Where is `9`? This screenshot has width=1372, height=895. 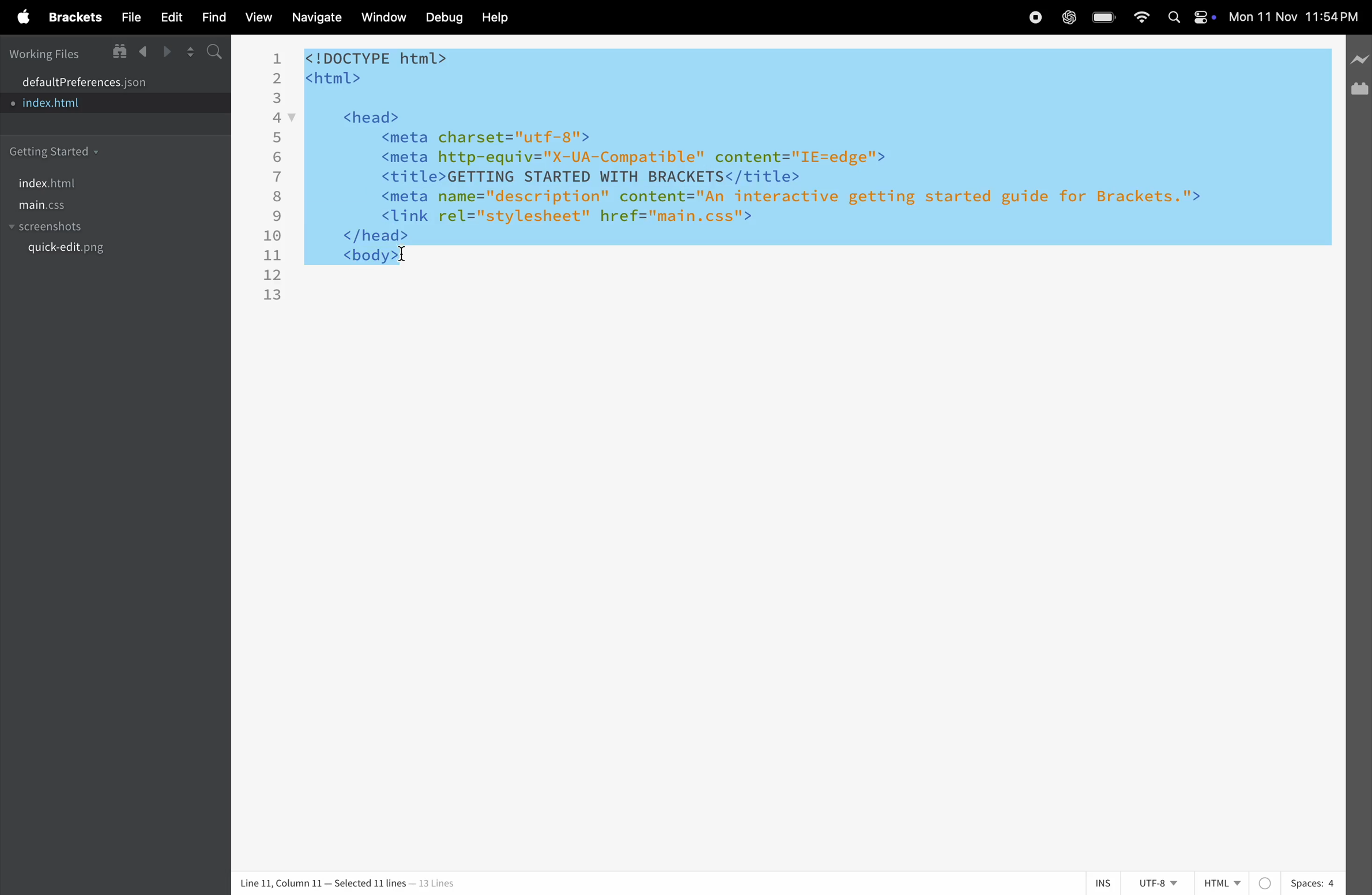
9 is located at coordinates (278, 217).